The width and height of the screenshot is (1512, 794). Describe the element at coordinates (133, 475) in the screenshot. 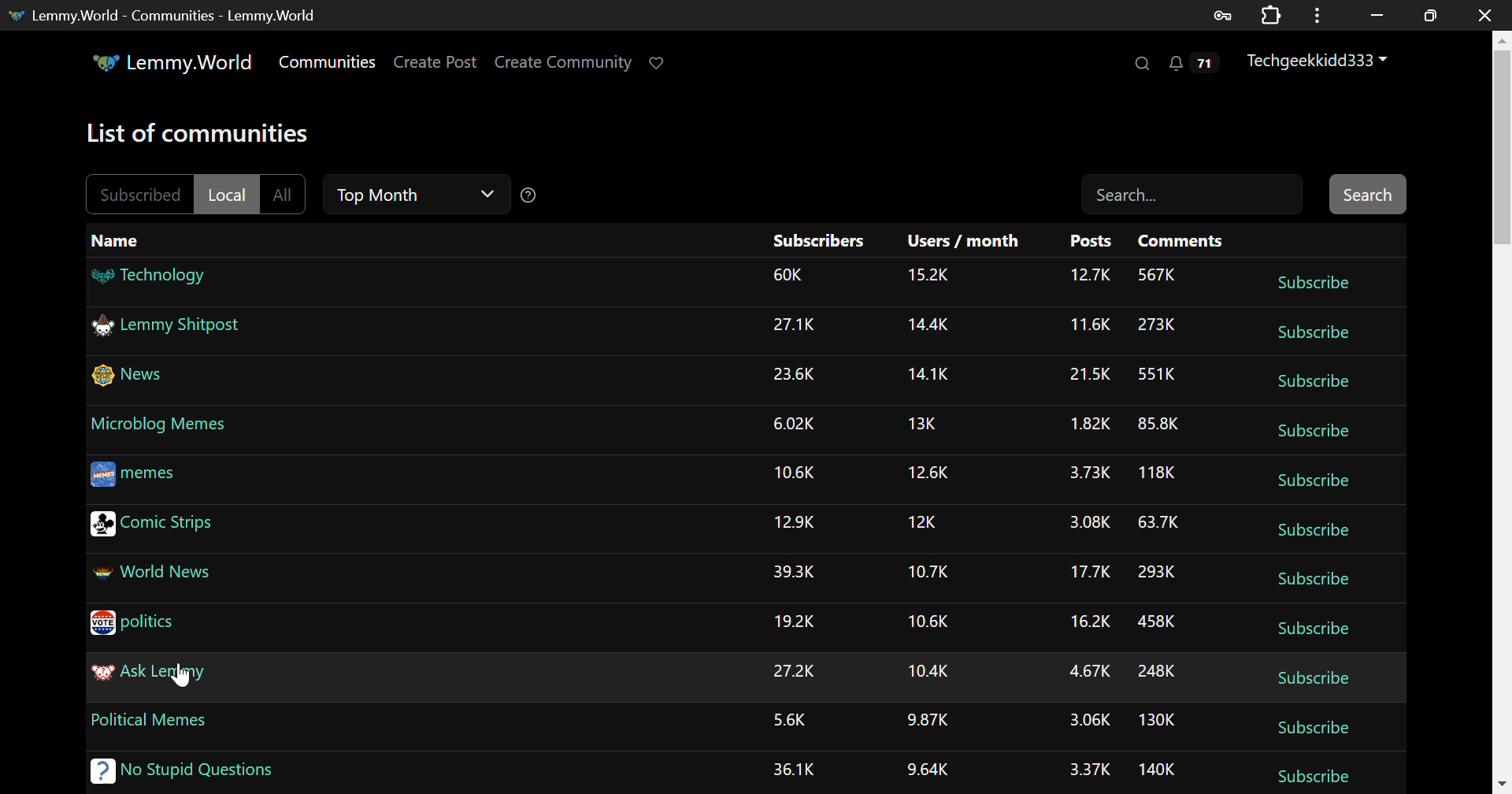

I see `memes Community Link` at that location.